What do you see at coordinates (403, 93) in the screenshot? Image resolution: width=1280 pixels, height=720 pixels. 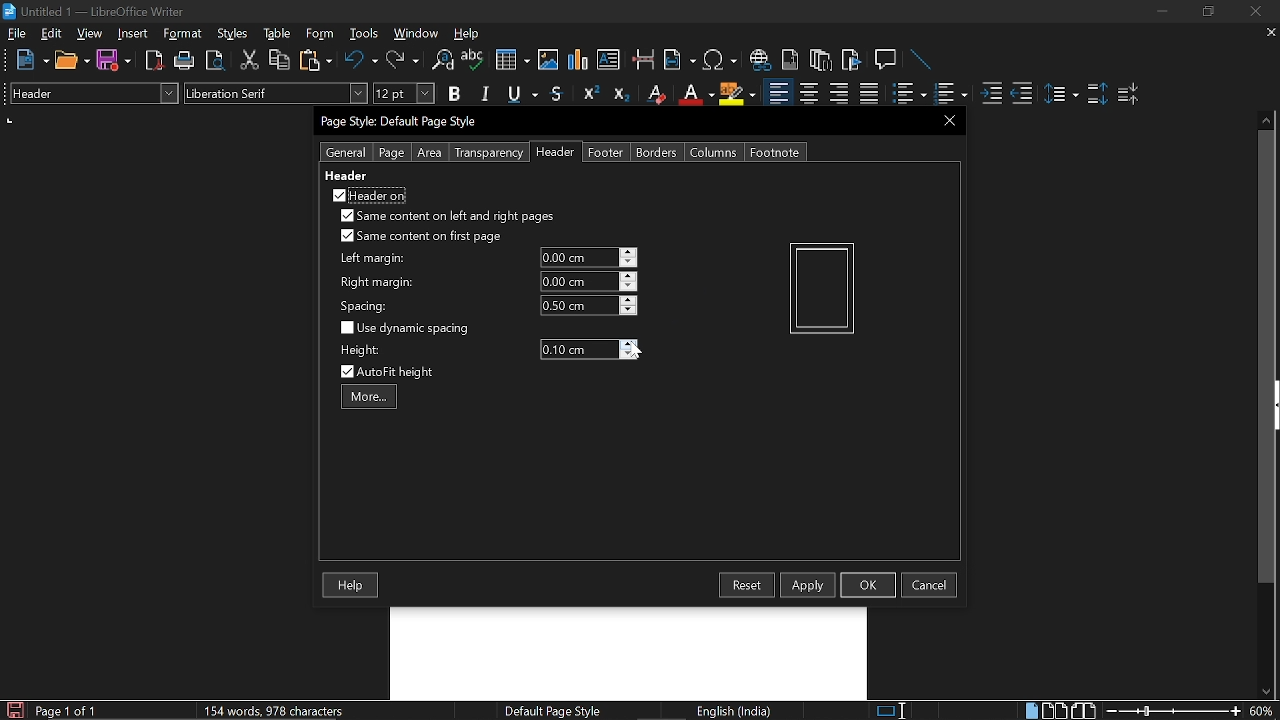 I see `Text size` at bounding box center [403, 93].